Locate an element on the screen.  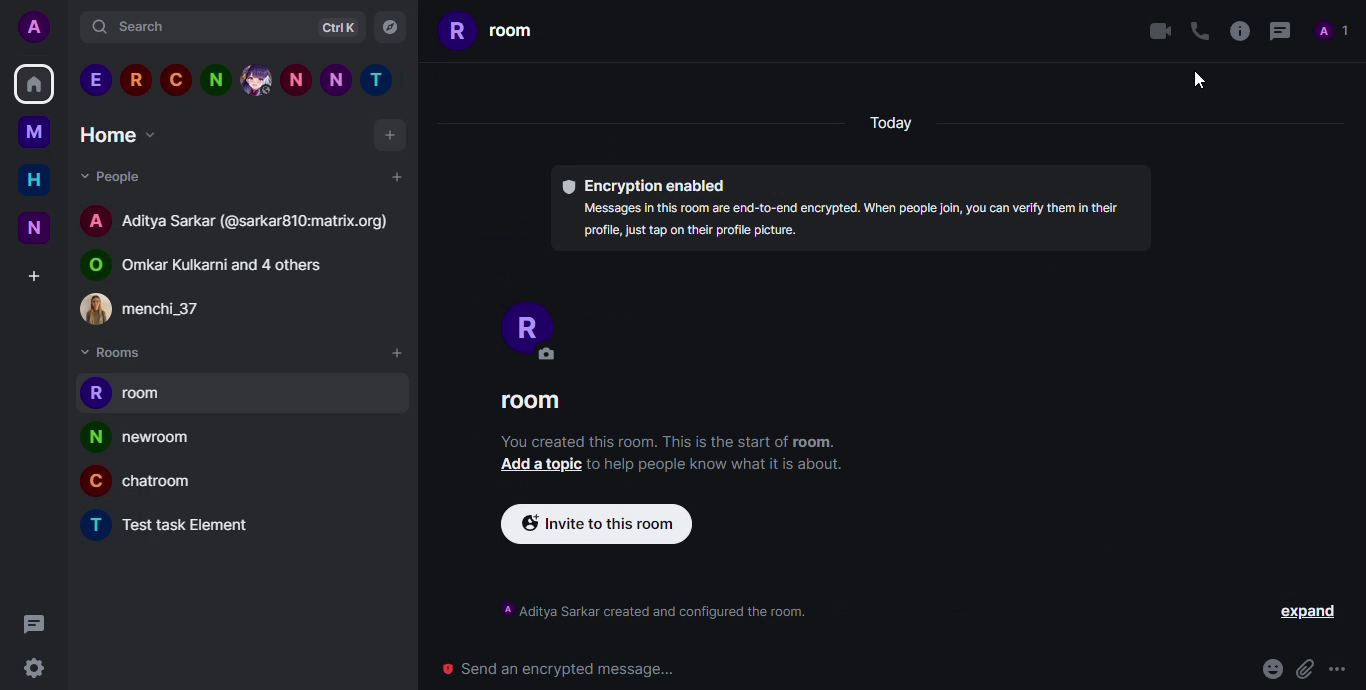
send encrypted message is located at coordinates (560, 670).